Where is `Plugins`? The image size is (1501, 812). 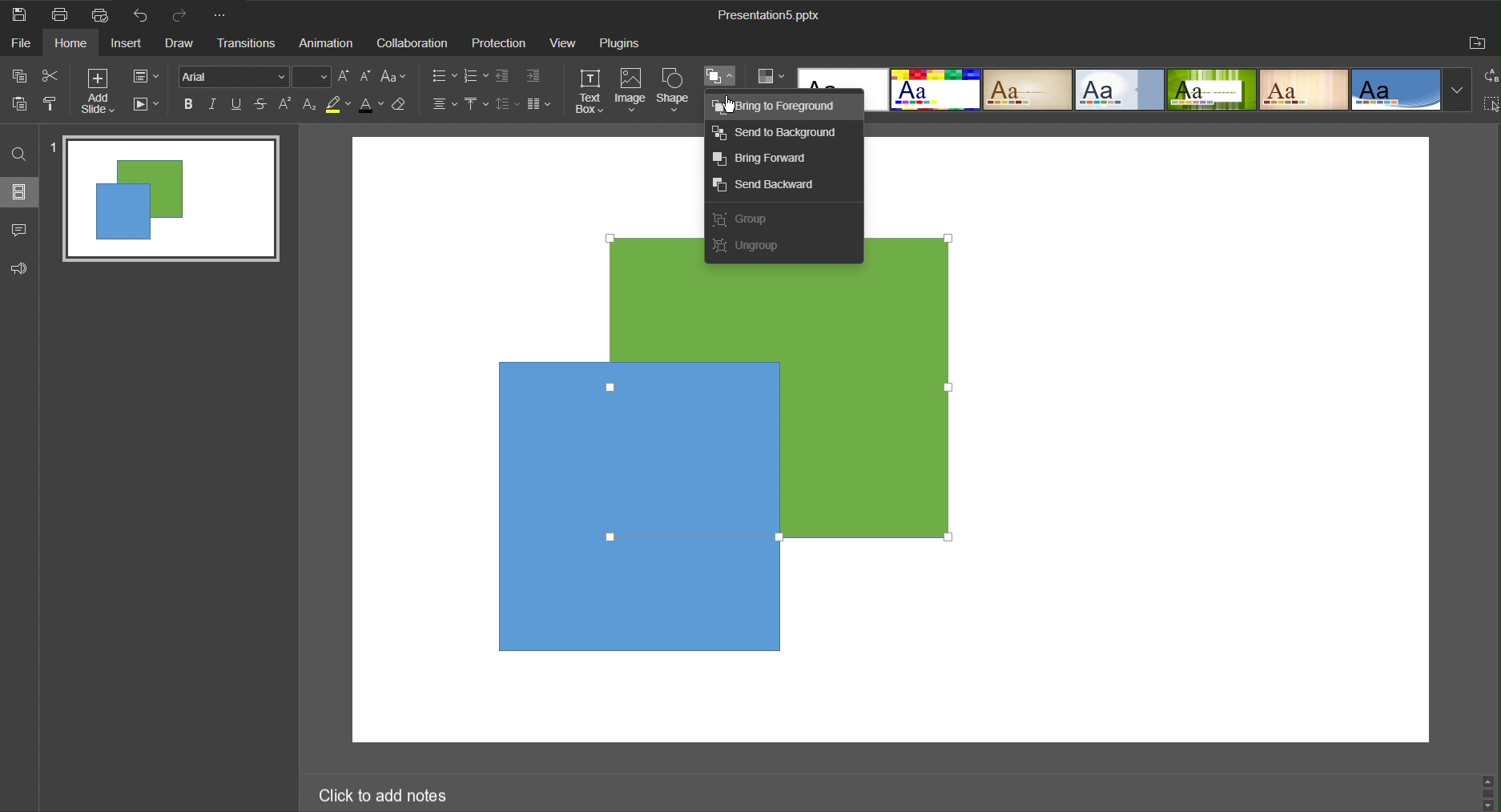
Plugins is located at coordinates (622, 43).